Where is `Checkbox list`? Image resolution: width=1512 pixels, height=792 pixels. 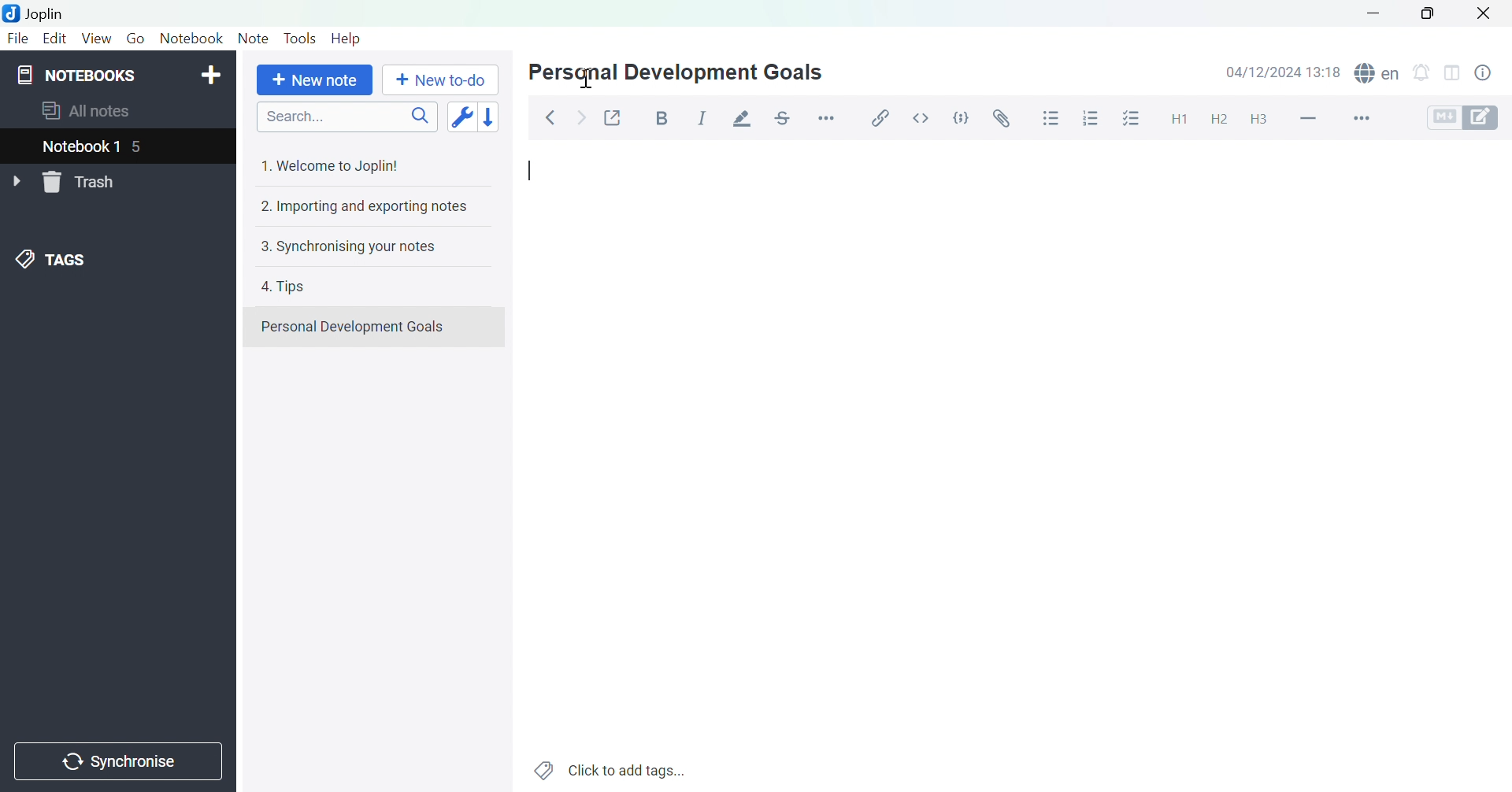 Checkbox list is located at coordinates (1128, 120).